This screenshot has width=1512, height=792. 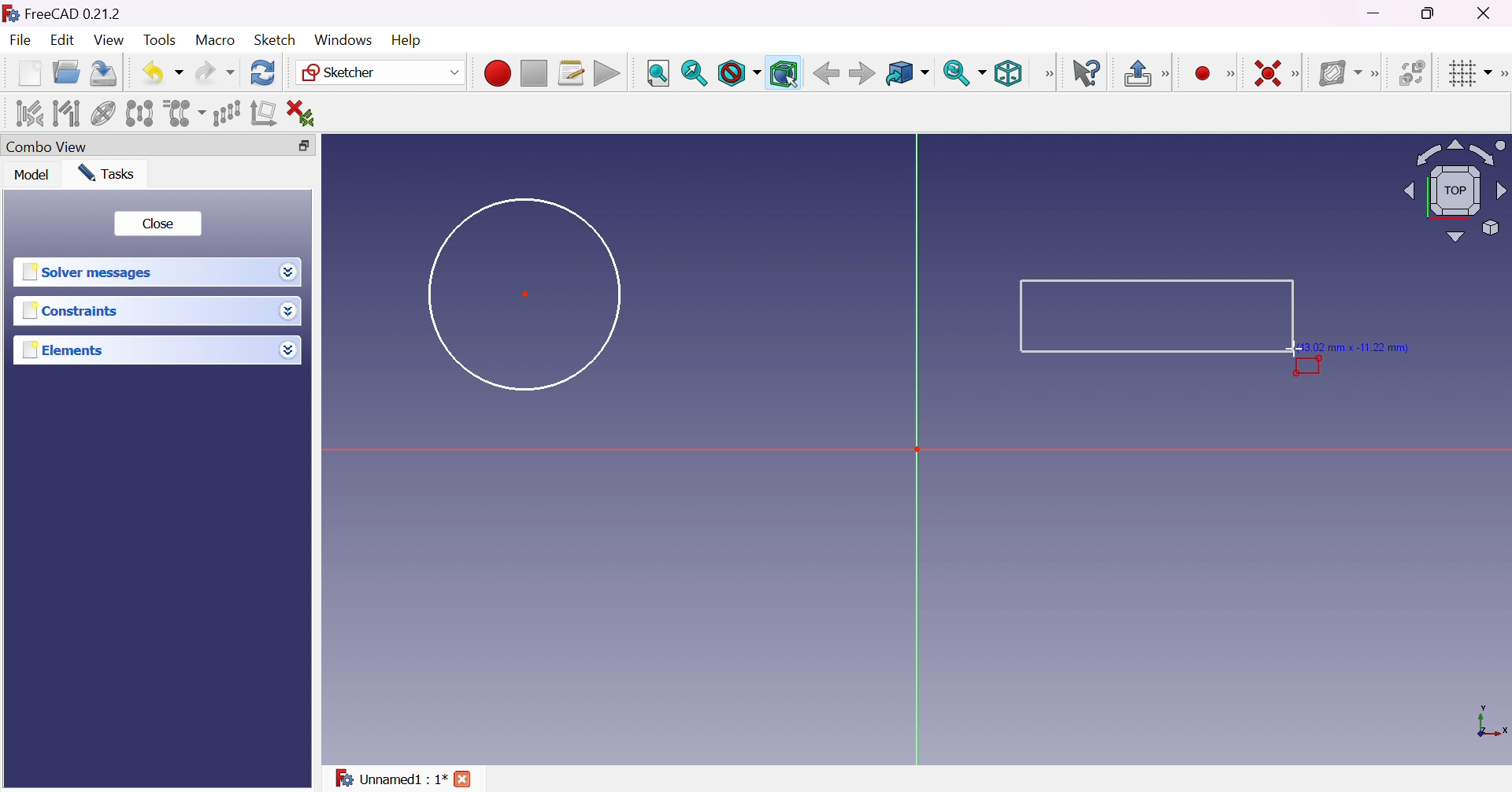 What do you see at coordinates (161, 40) in the screenshot?
I see `Tools` at bounding box center [161, 40].